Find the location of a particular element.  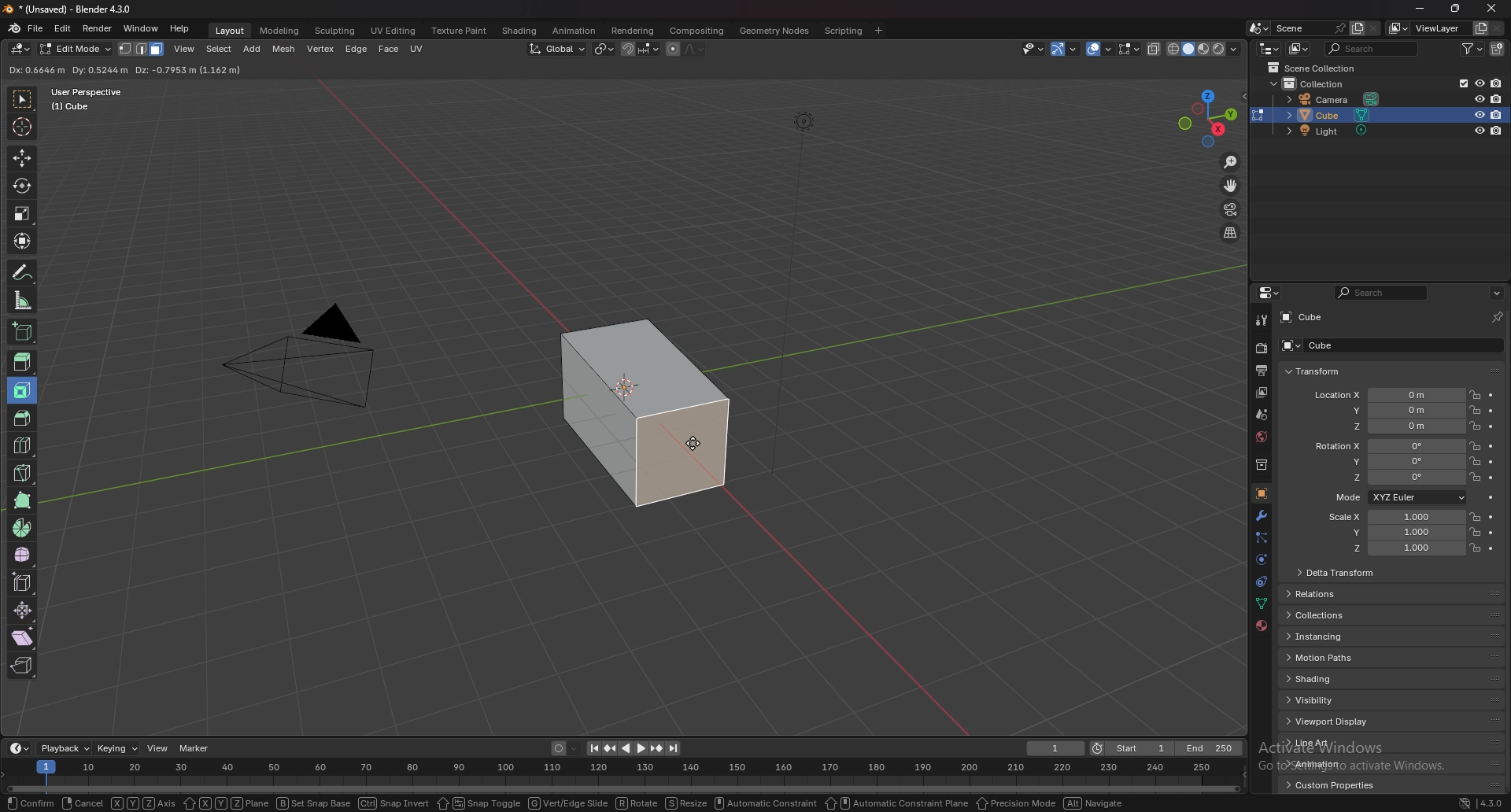

keying is located at coordinates (118, 748).